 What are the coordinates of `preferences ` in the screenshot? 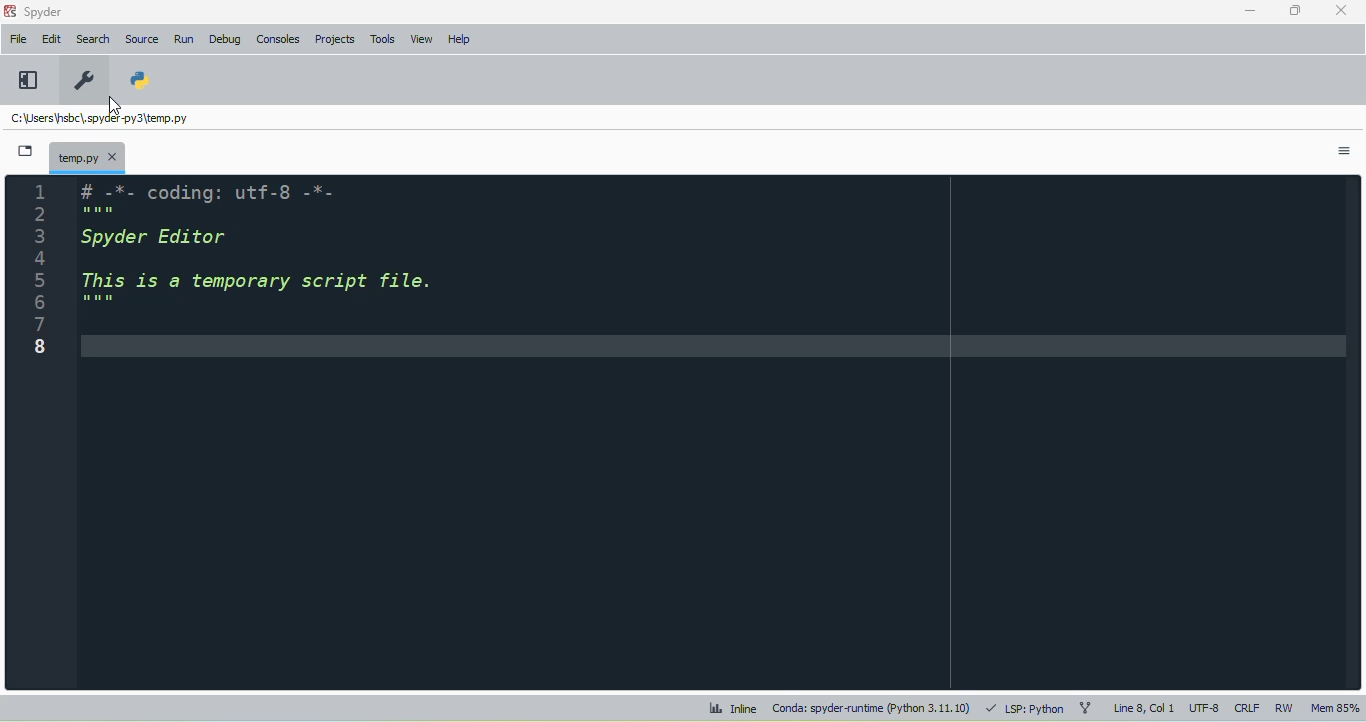 It's located at (82, 79).